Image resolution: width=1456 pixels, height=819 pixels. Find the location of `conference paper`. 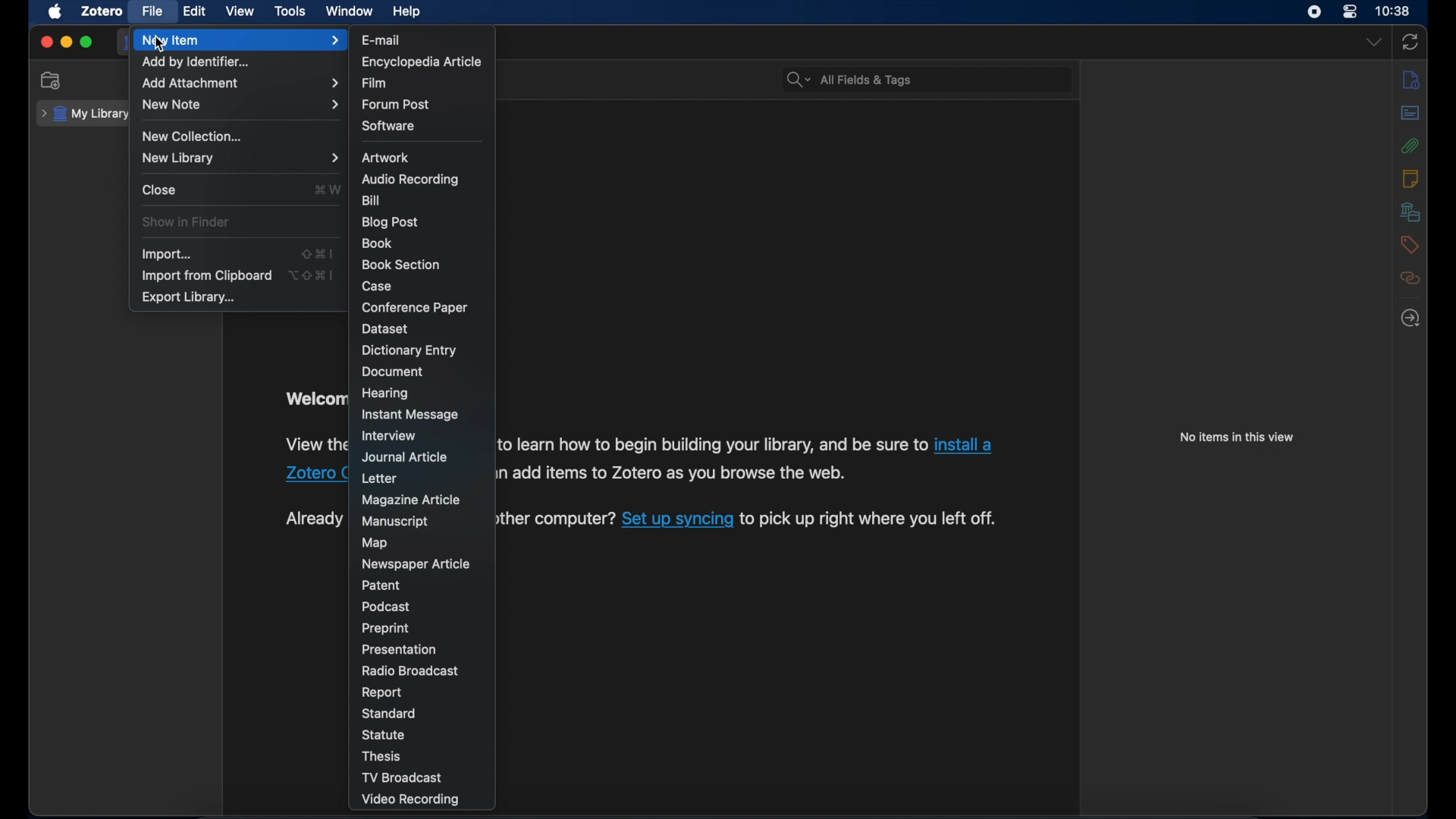

conference paper is located at coordinates (417, 307).